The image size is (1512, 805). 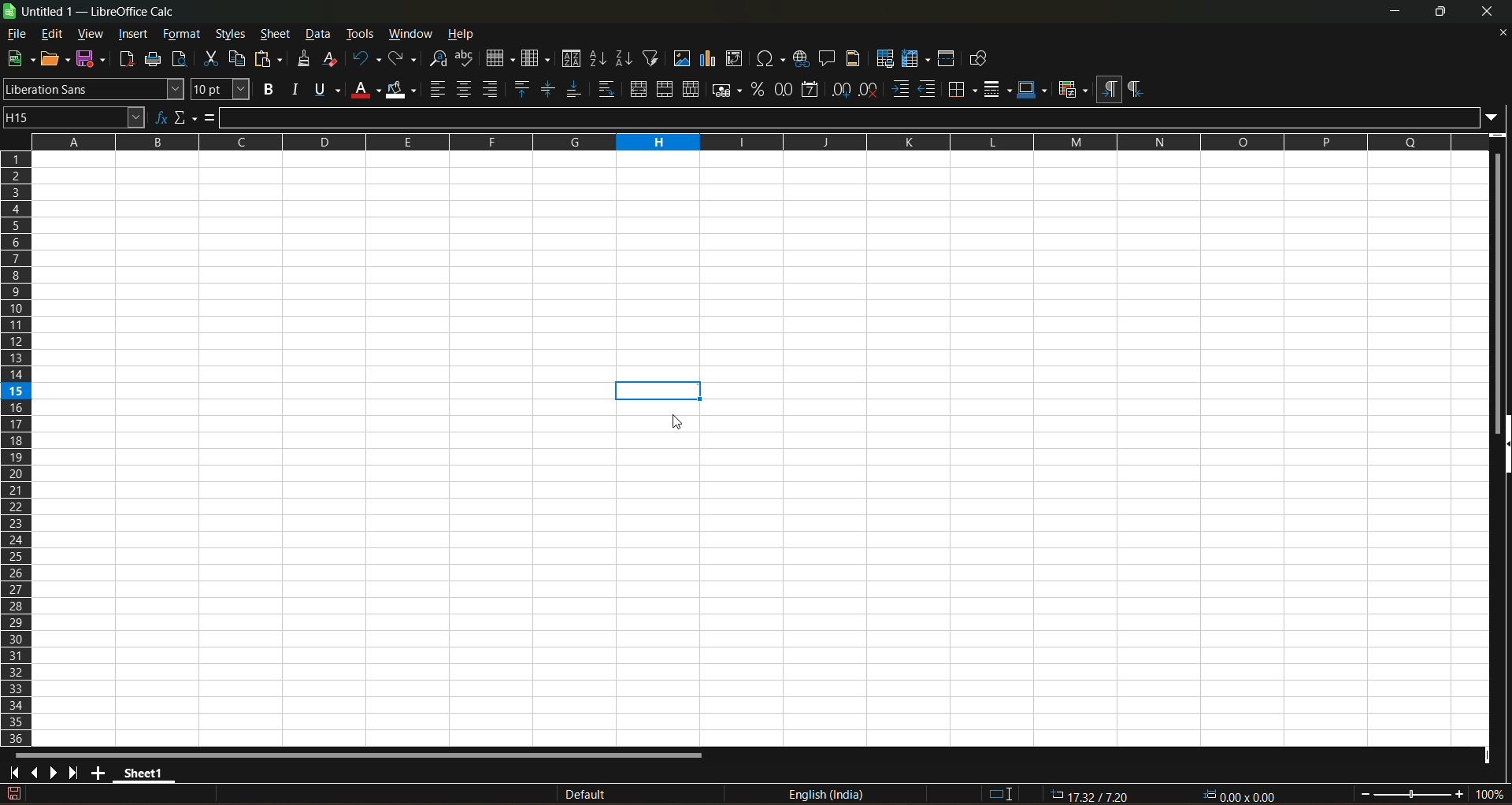 What do you see at coordinates (708, 59) in the screenshot?
I see `insert chart` at bounding box center [708, 59].